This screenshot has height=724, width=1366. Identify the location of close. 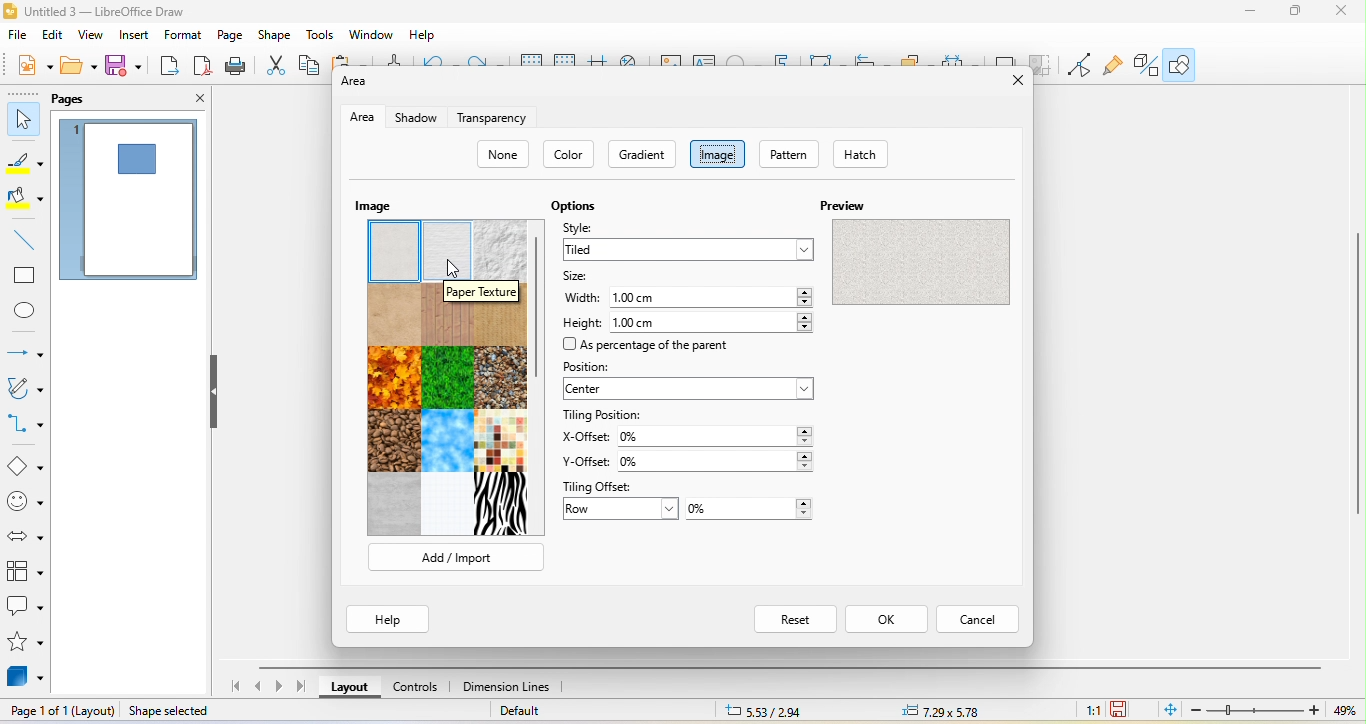
(1346, 15).